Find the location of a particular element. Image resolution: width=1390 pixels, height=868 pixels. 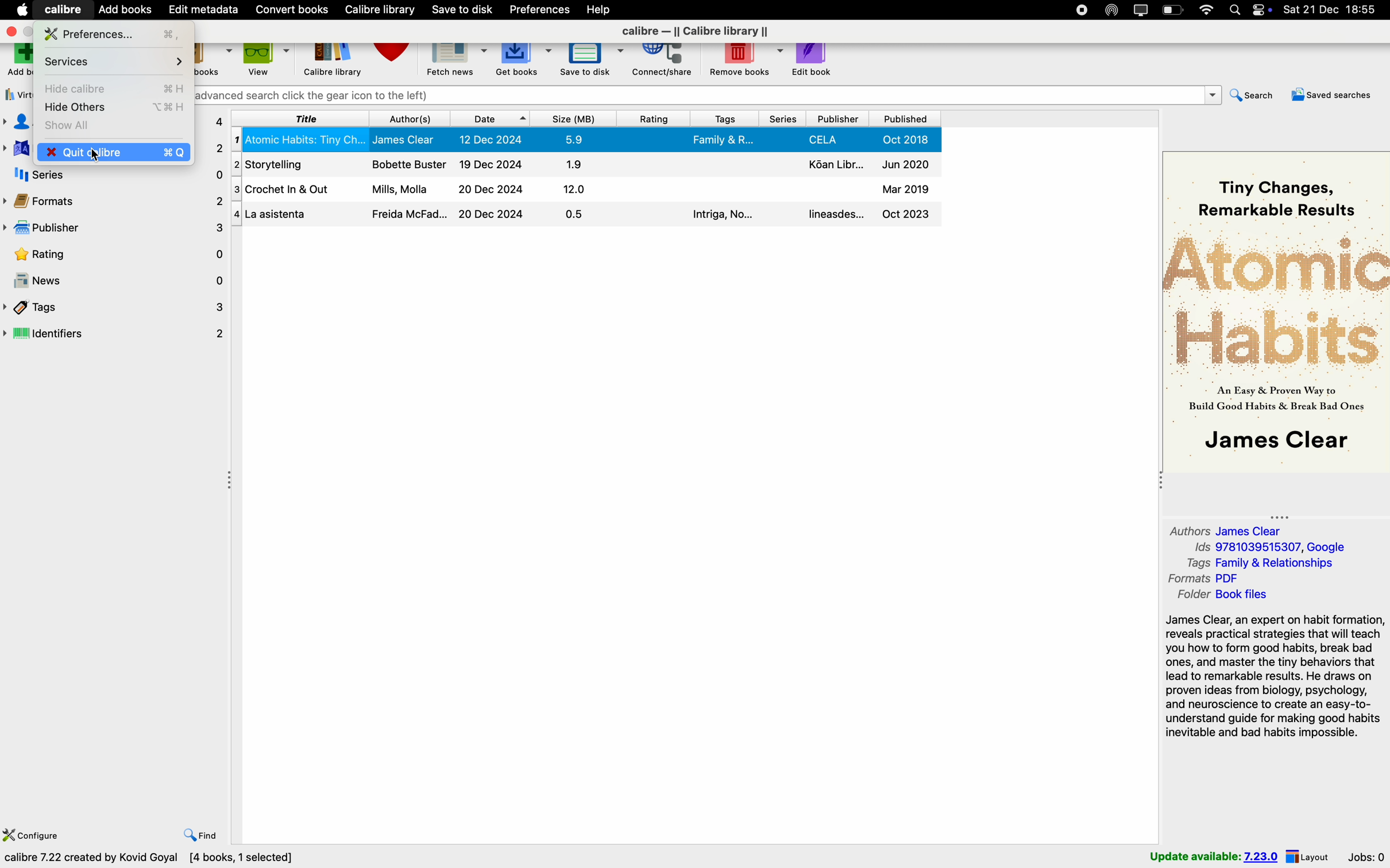

add books is located at coordinates (126, 9).